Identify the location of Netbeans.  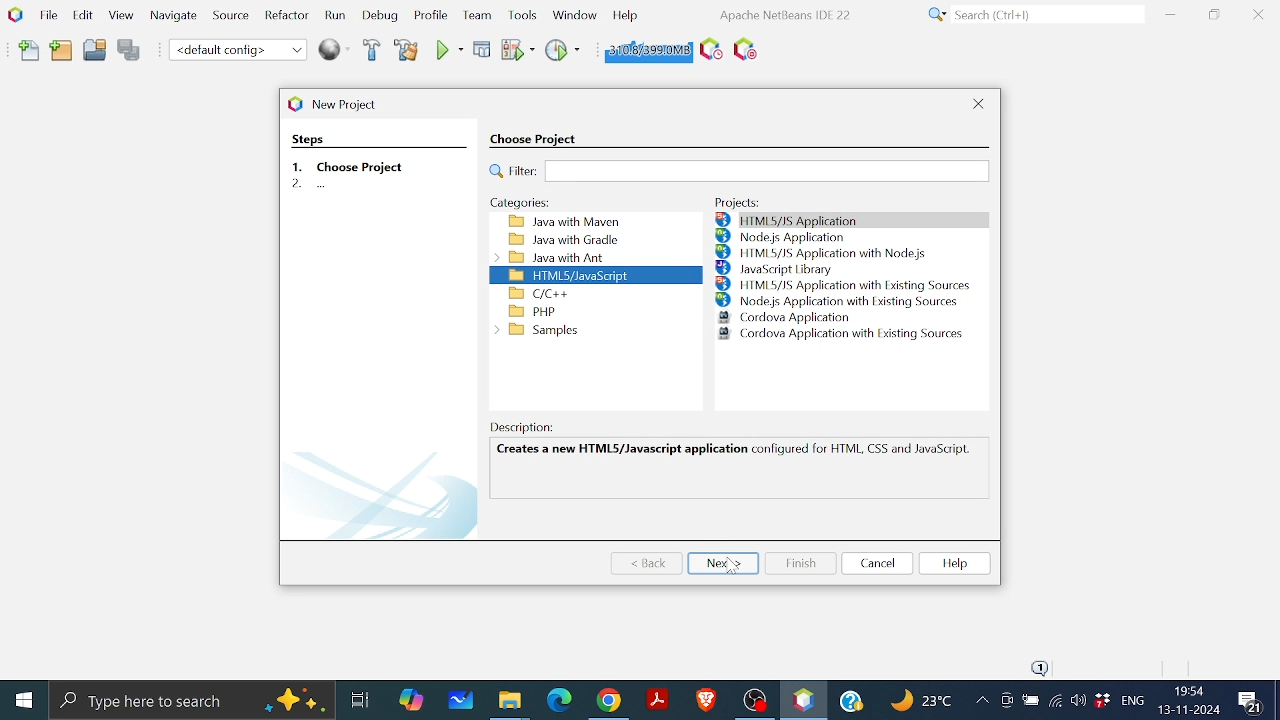
(803, 700).